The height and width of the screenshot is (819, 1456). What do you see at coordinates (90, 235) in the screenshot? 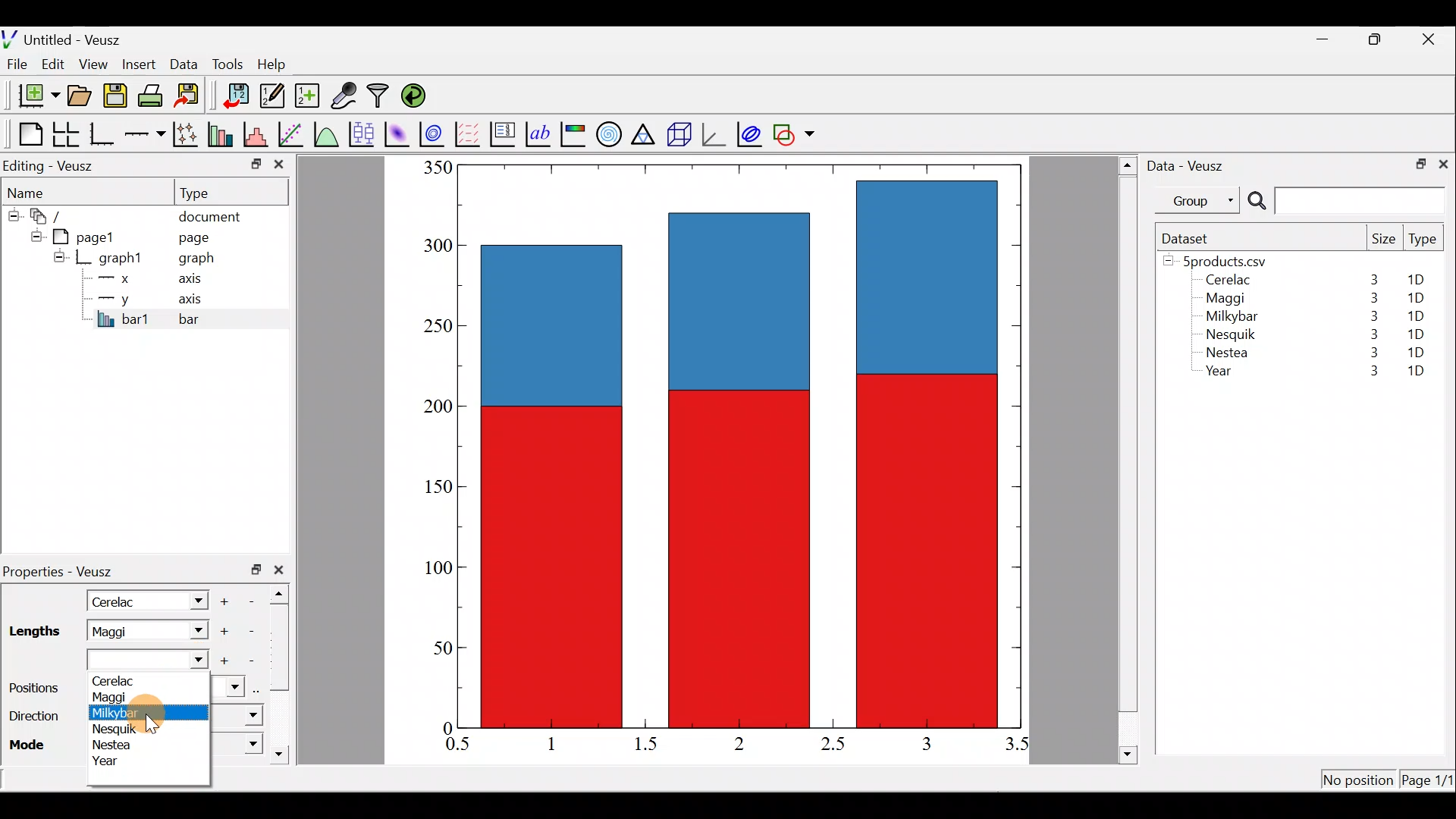
I see `pagel` at bounding box center [90, 235].